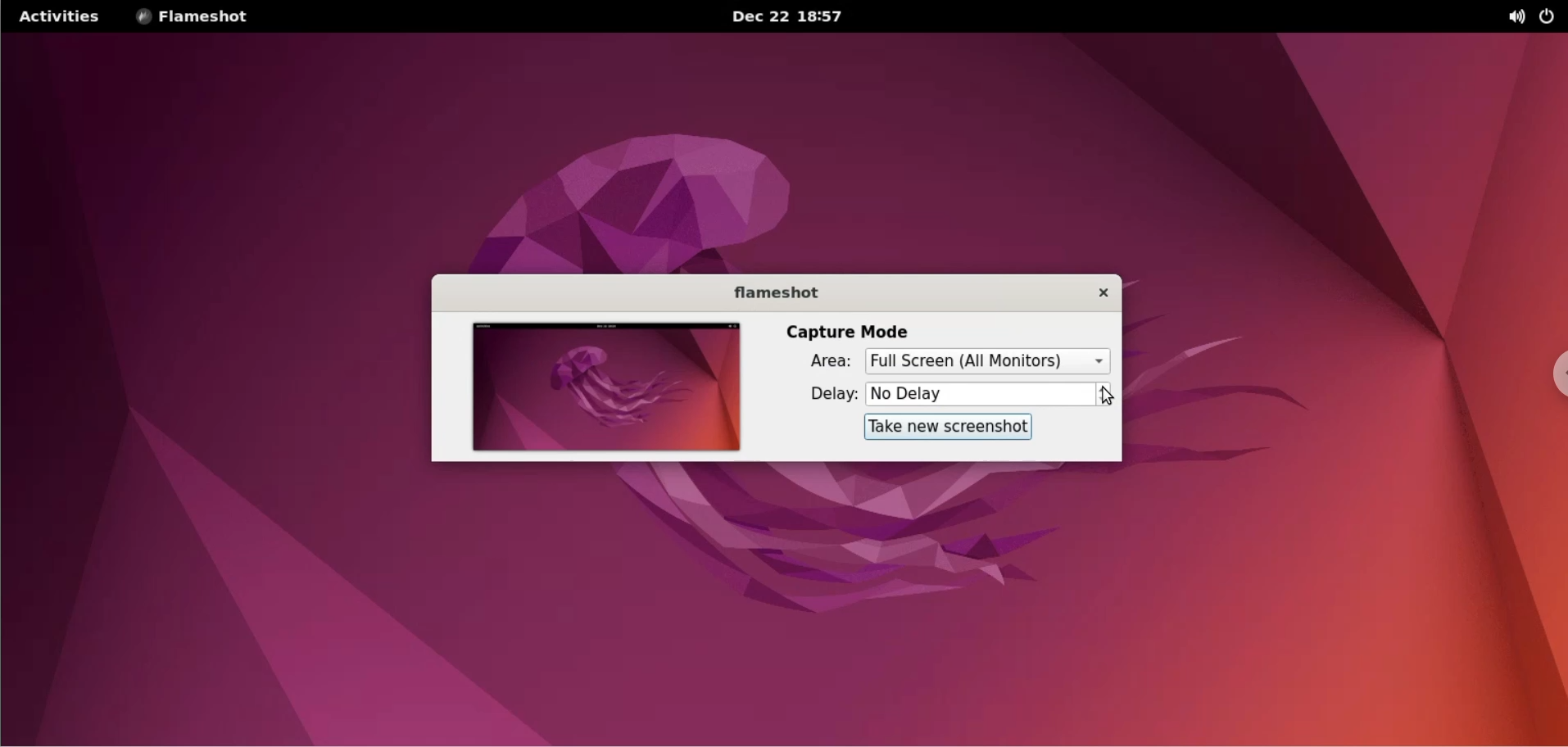  Describe the element at coordinates (1108, 399) in the screenshot. I see `cursor` at that location.